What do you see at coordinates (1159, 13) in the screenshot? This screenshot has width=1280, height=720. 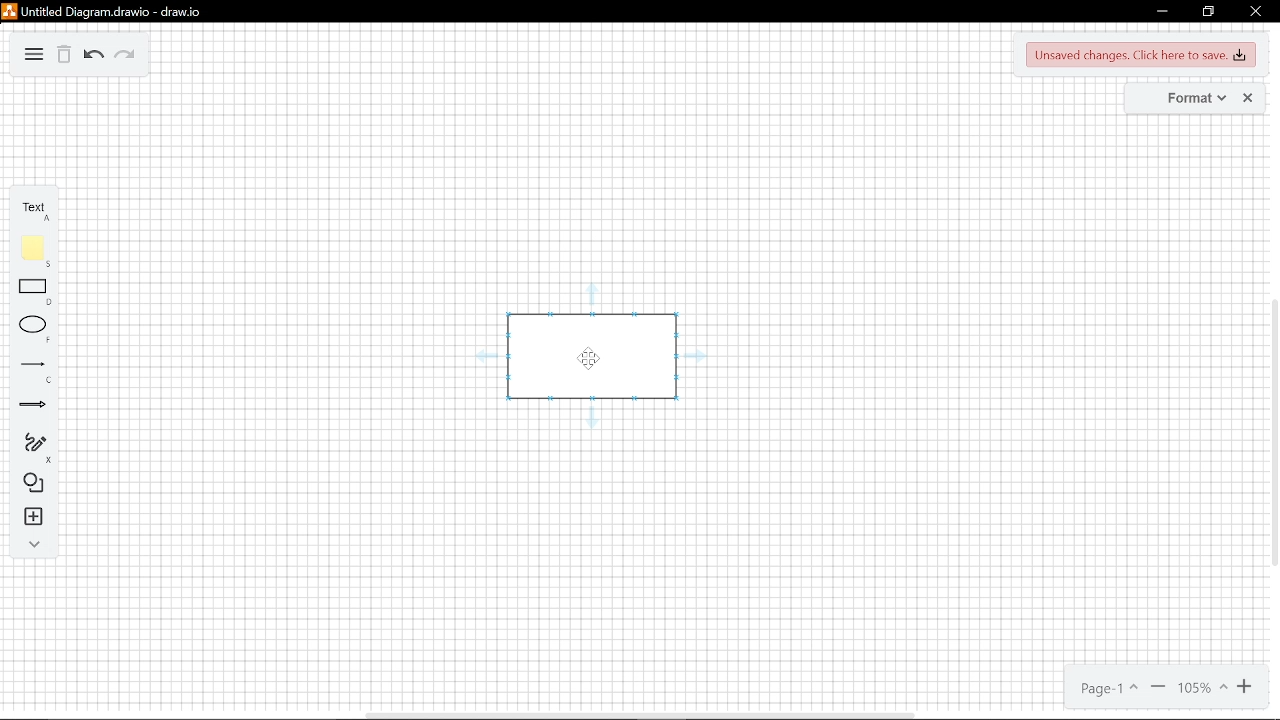 I see `minimize` at bounding box center [1159, 13].